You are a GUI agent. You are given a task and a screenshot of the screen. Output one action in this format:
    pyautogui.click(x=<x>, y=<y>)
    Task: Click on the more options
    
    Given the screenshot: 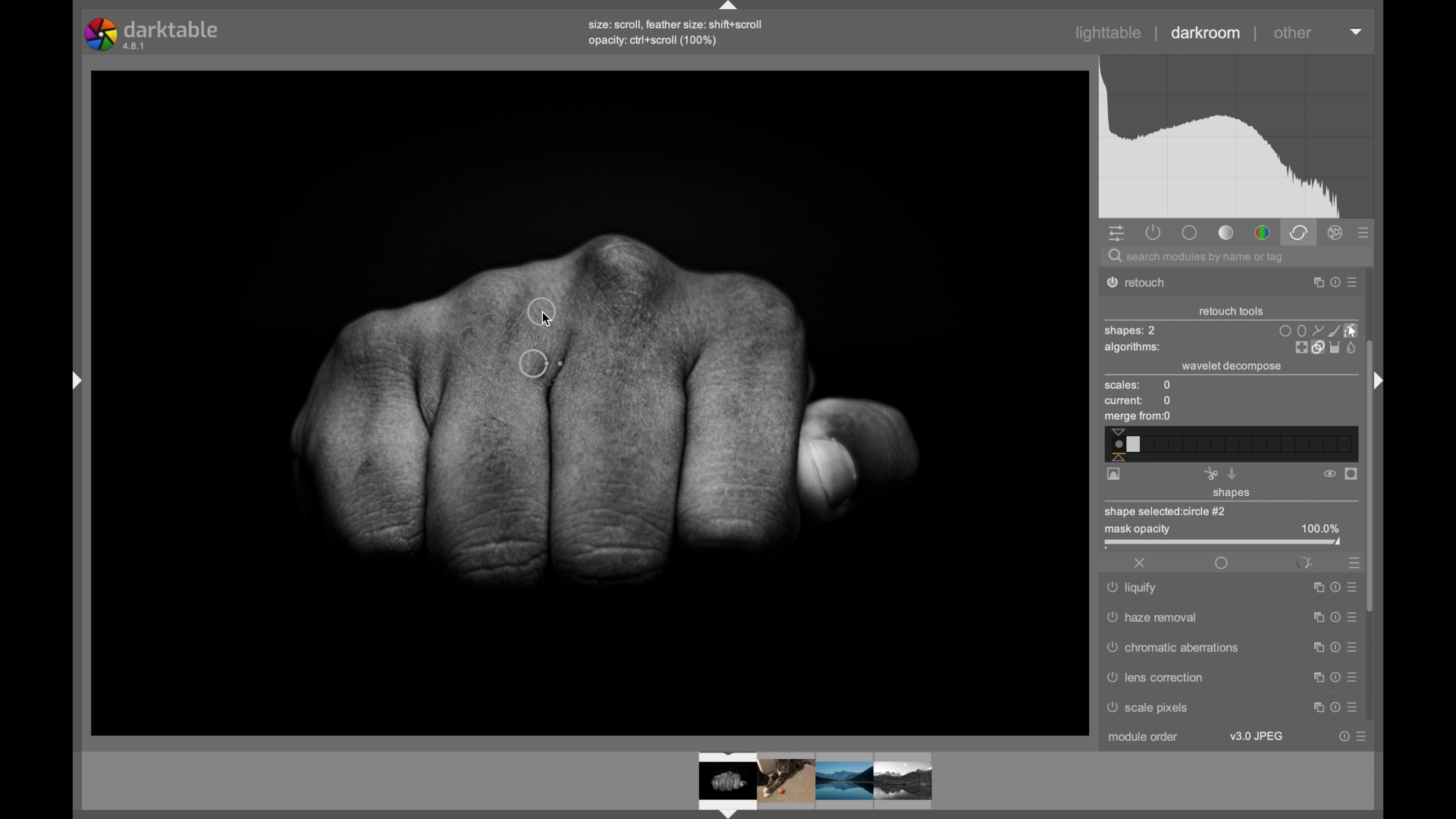 What is the action you would take?
    pyautogui.click(x=1361, y=736)
    